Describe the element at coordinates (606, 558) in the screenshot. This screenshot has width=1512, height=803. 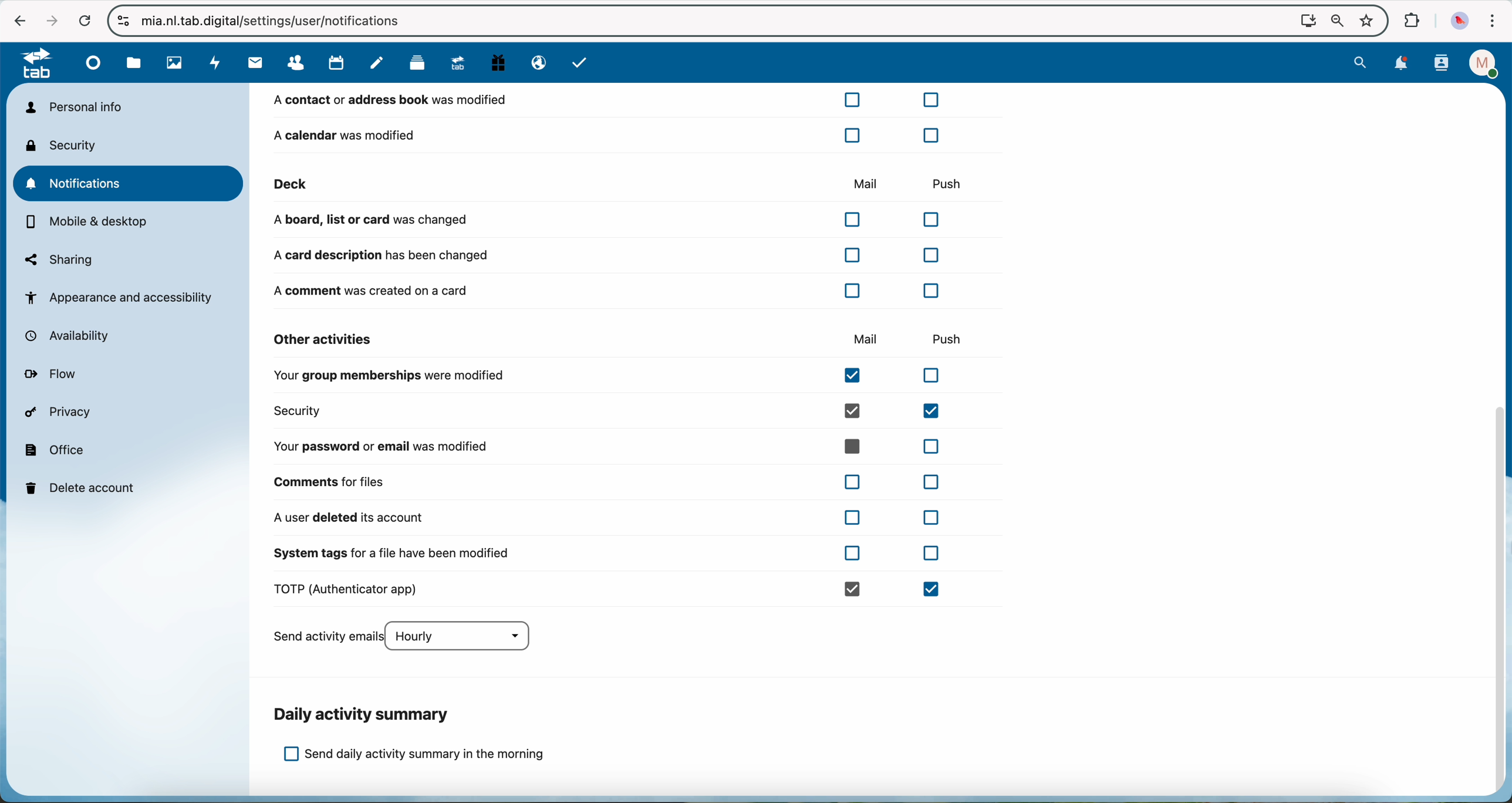
I see `system tags for a file have been modified` at that location.